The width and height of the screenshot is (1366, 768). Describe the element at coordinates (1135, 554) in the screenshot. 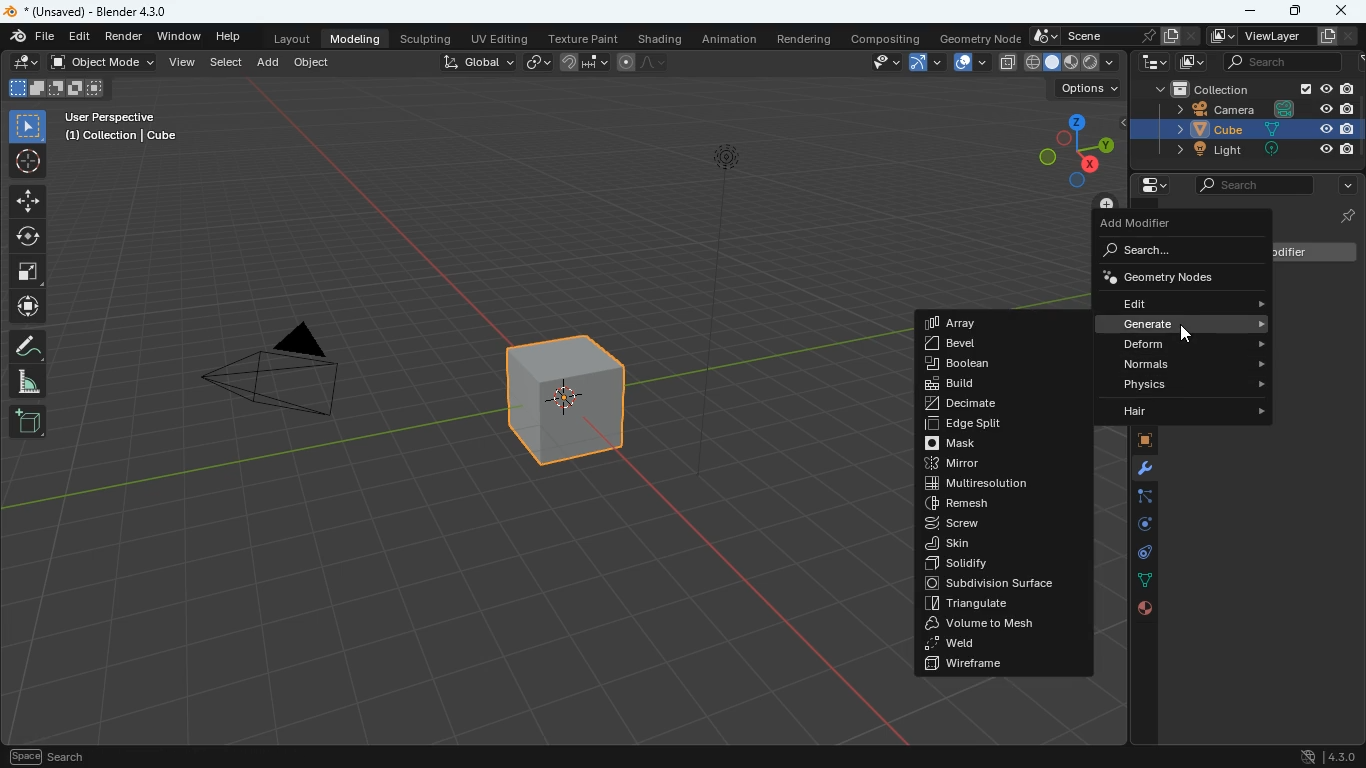

I see `control` at that location.